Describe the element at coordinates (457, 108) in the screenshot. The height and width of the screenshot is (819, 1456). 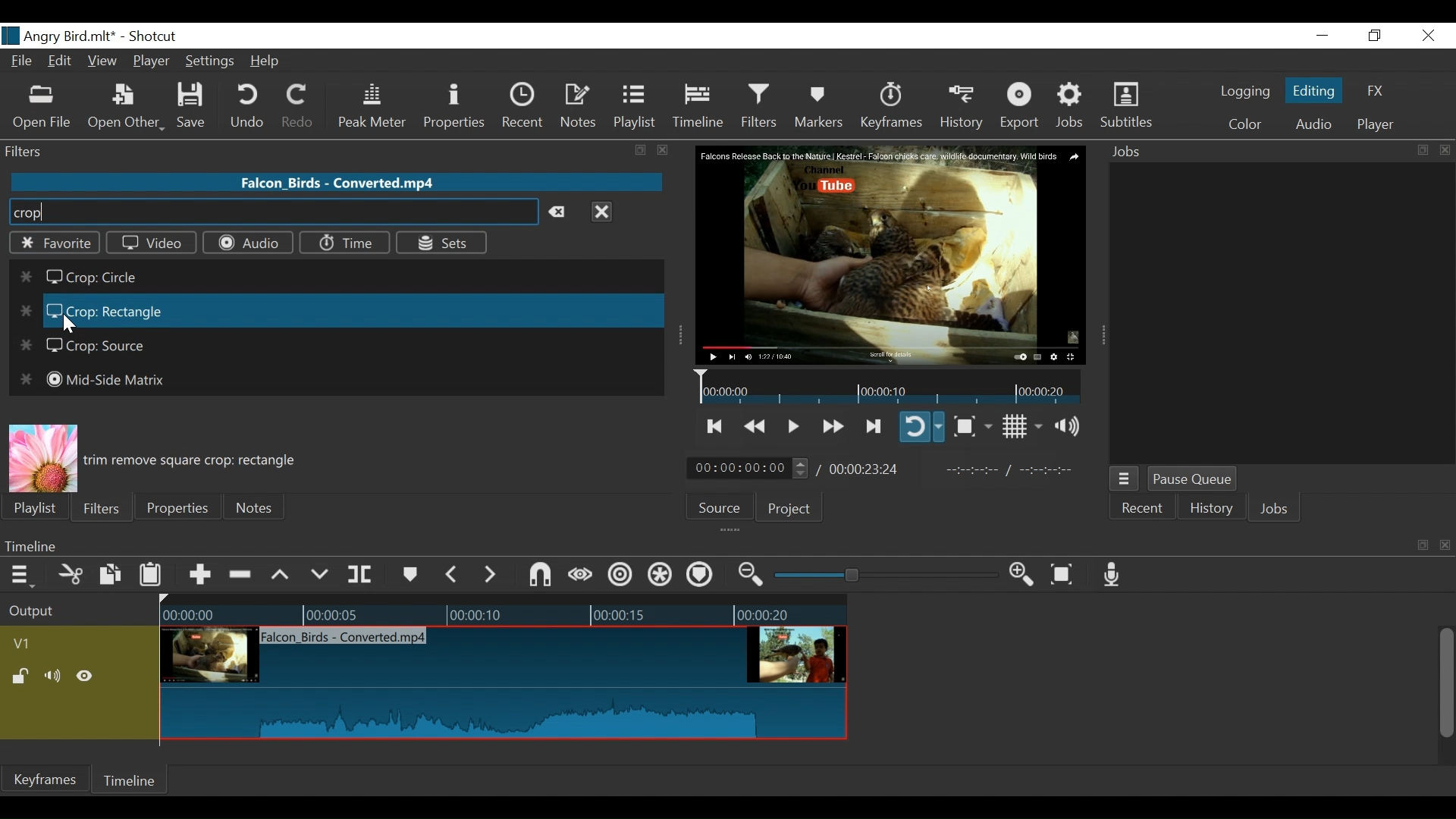
I see `Properties` at that location.